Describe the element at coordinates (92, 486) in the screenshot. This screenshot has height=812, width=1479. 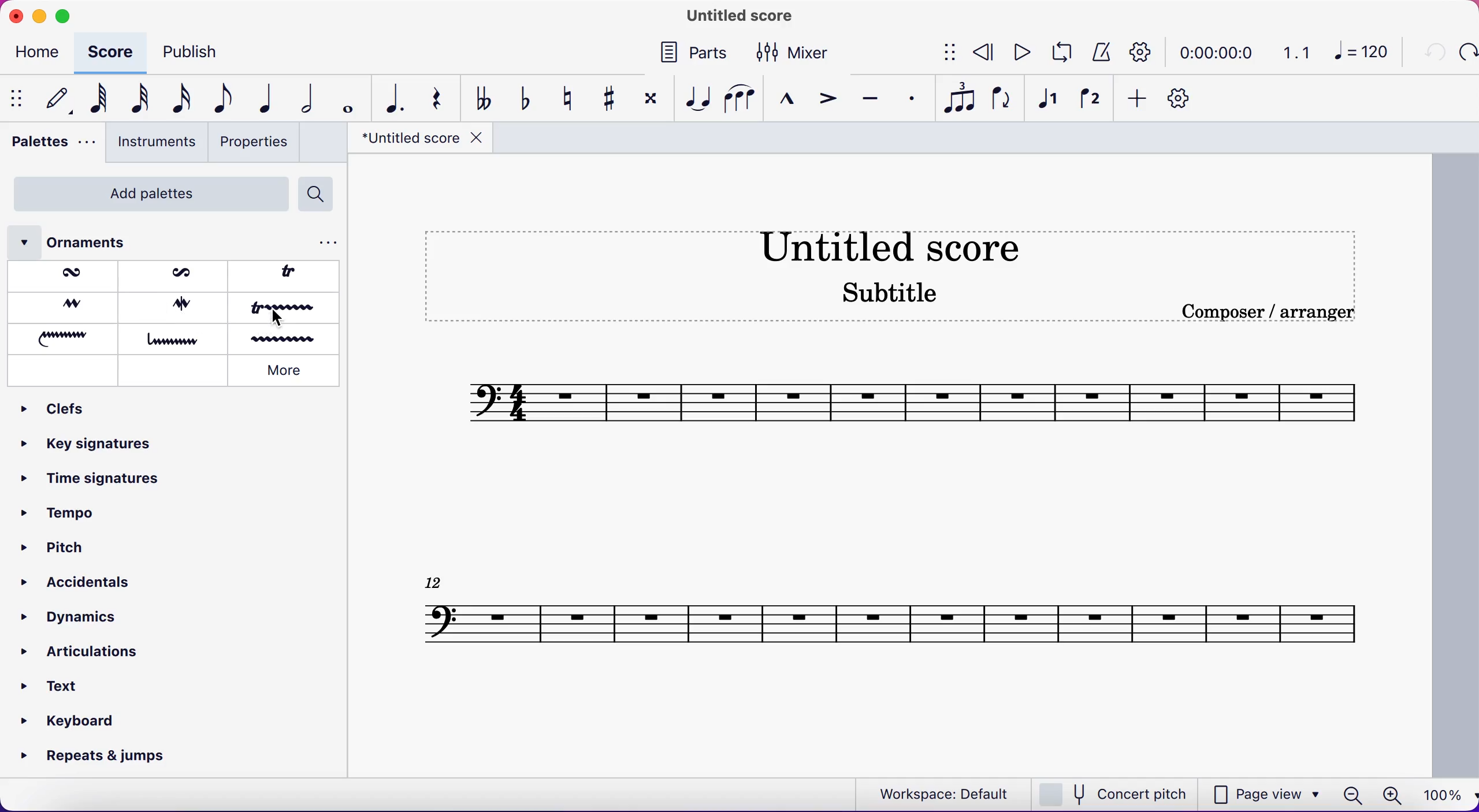
I see `time signatures` at that location.